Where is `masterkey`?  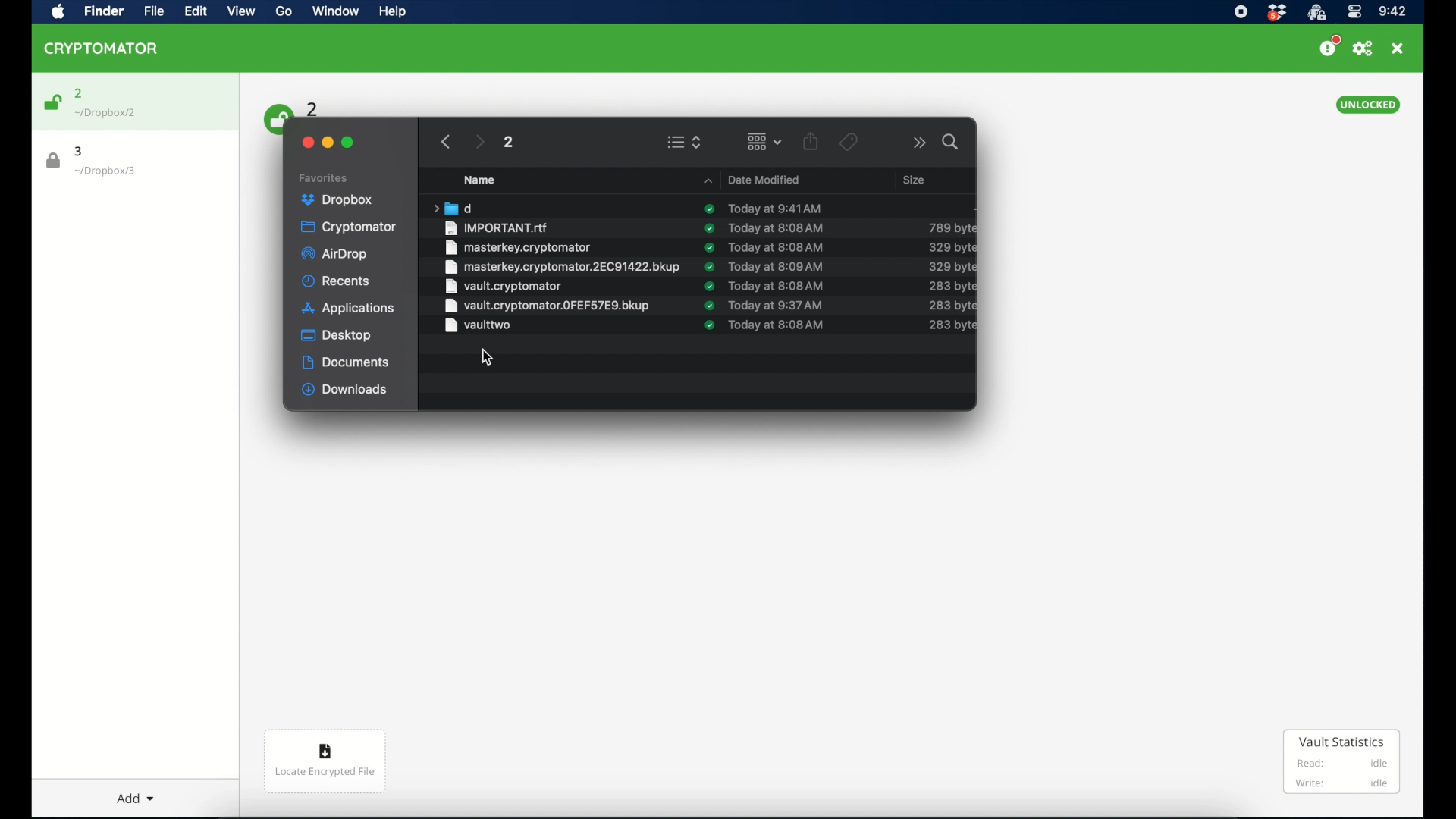
masterkey is located at coordinates (518, 247).